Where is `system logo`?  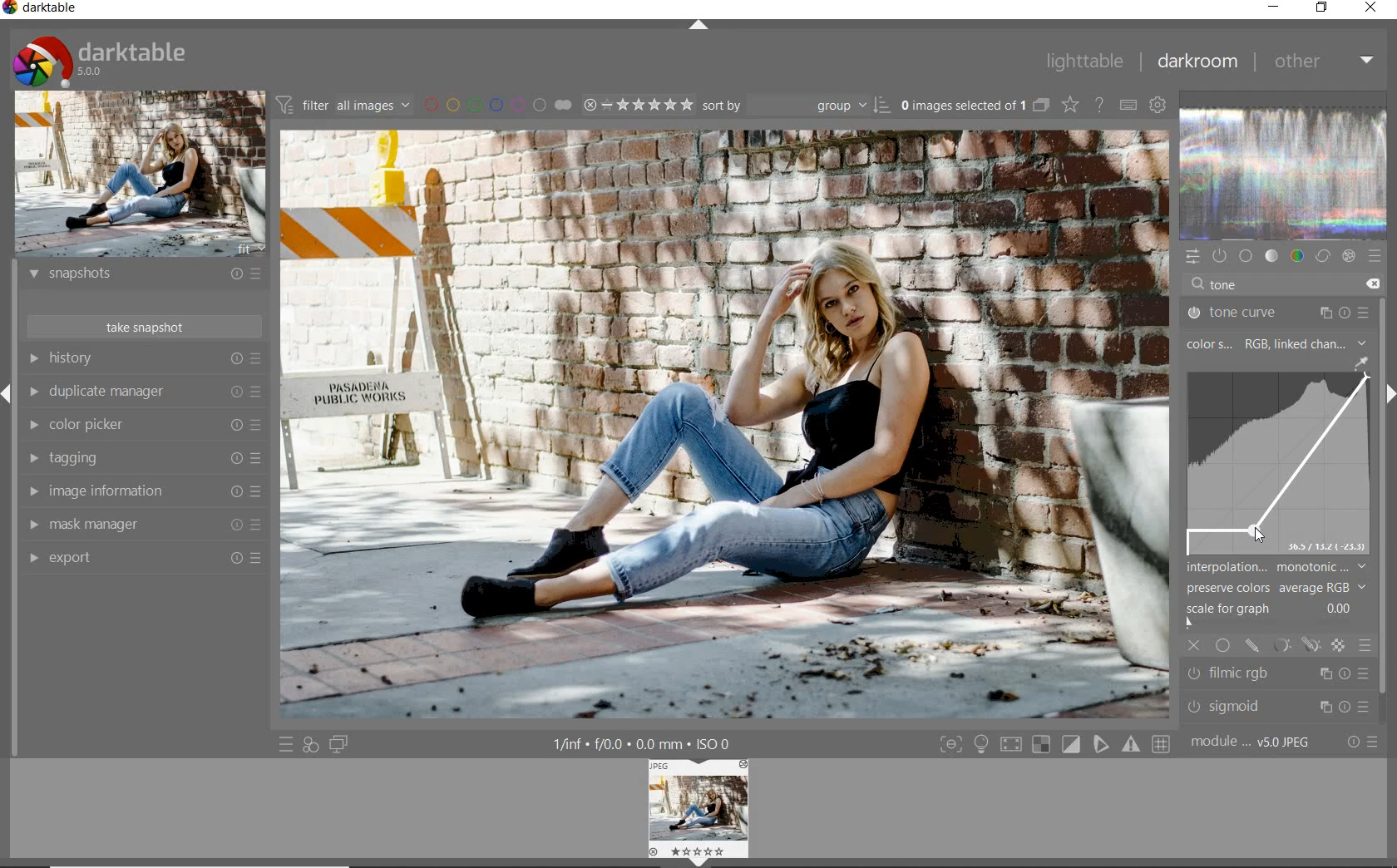 system logo is located at coordinates (101, 60).